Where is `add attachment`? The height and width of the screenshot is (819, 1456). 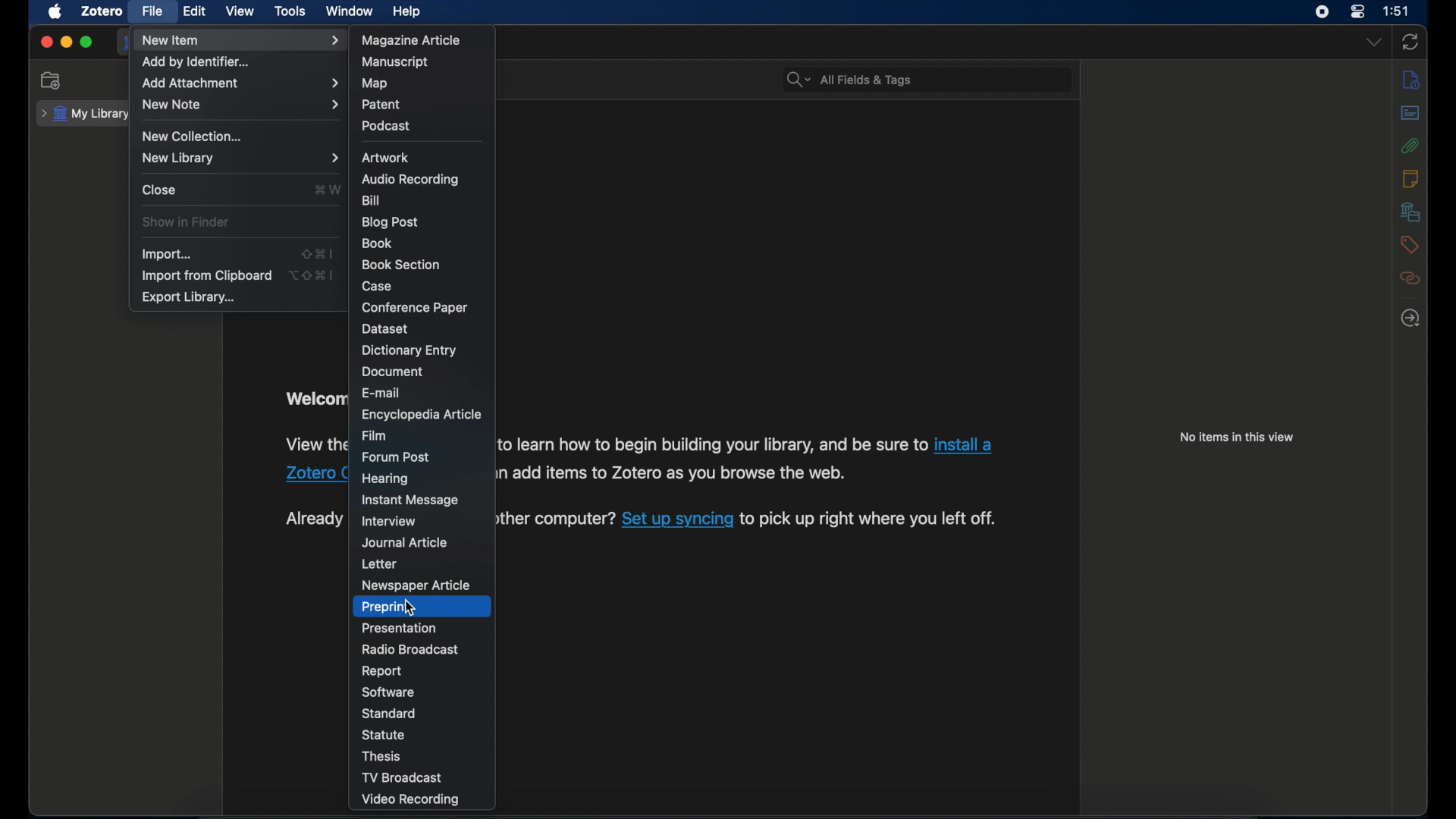
add attachment is located at coordinates (242, 84).